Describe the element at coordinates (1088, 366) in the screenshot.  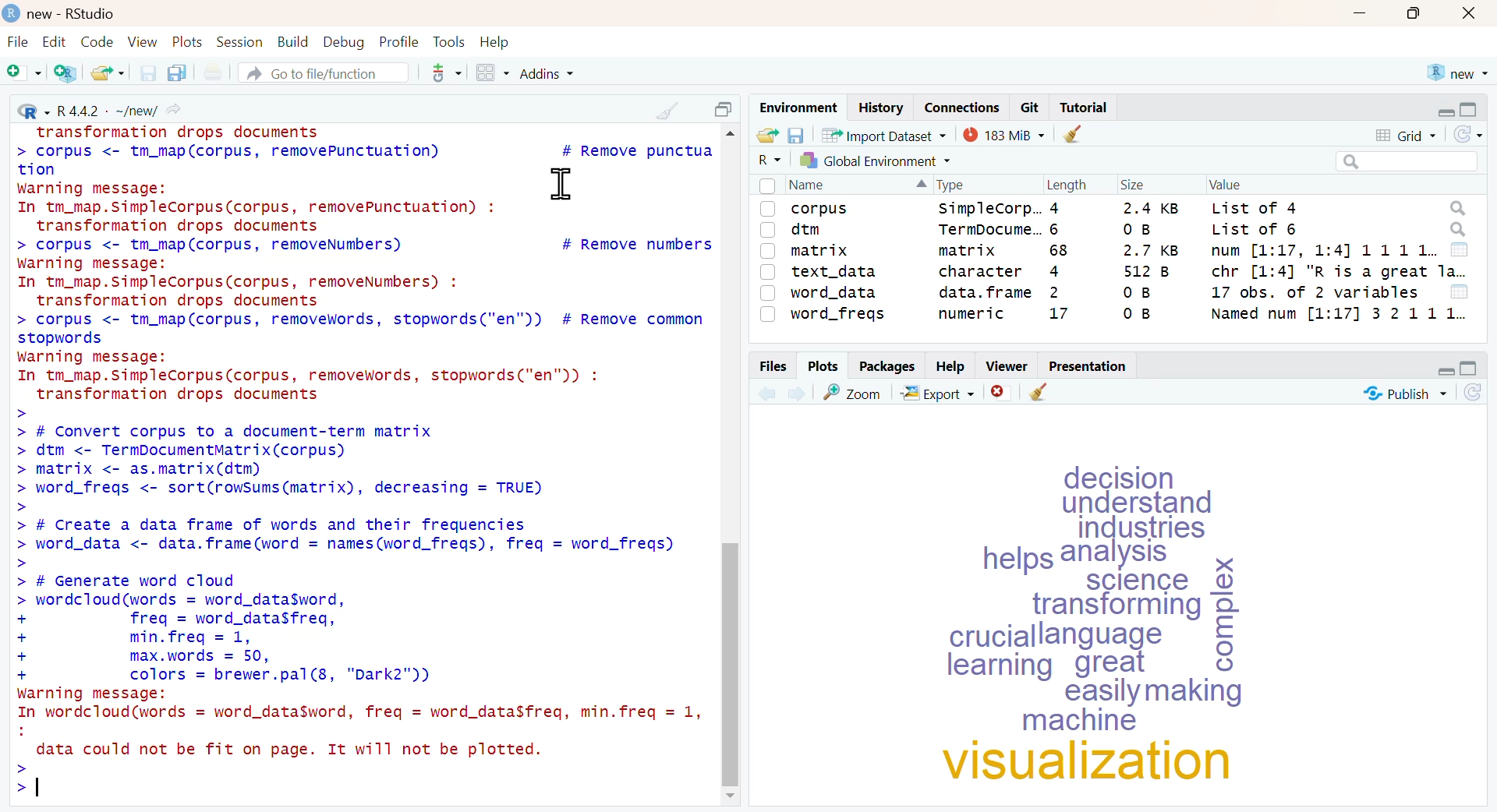
I see `Presentation` at that location.